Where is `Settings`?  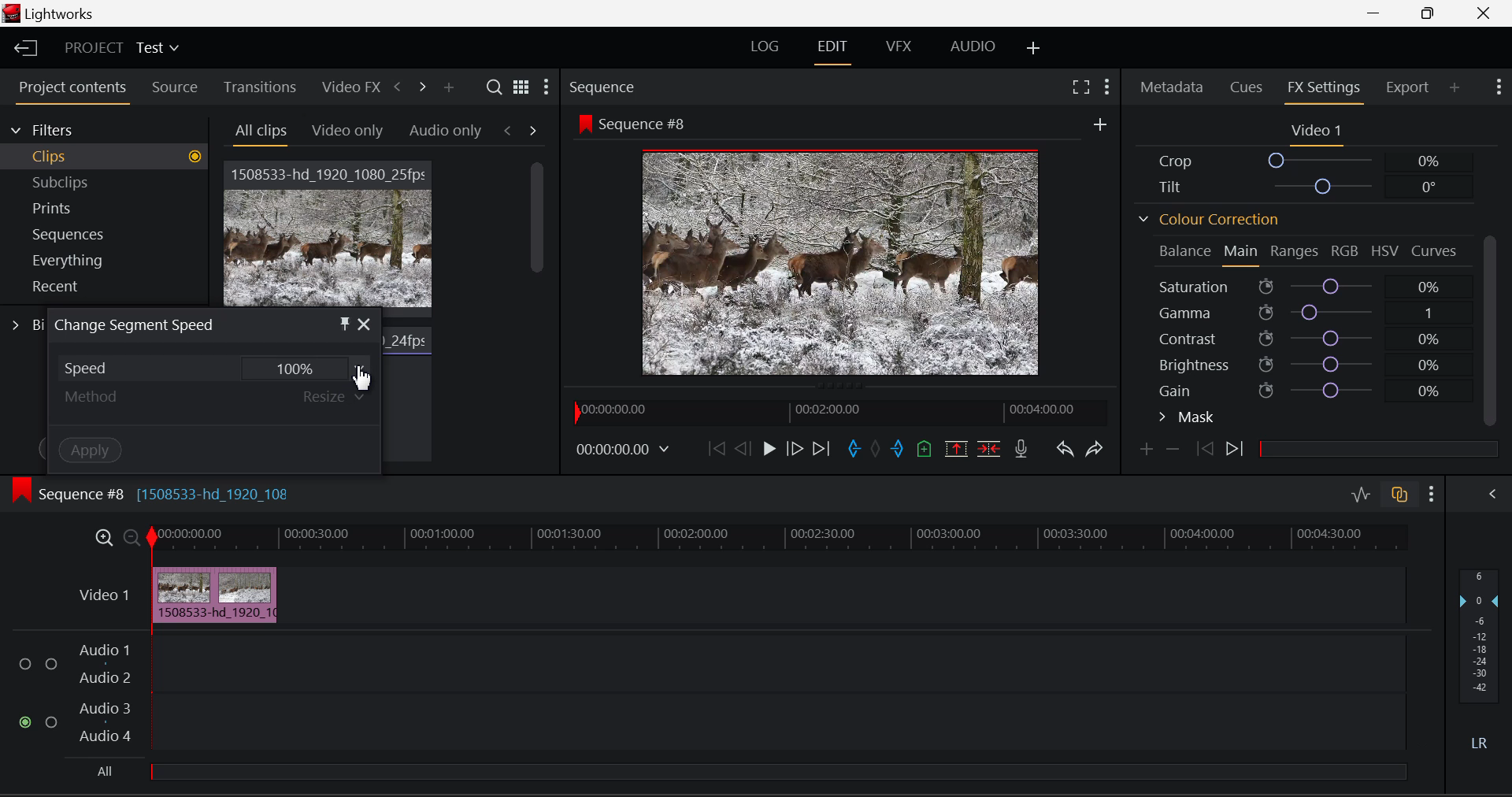 Settings is located at coordinates (549, 87).